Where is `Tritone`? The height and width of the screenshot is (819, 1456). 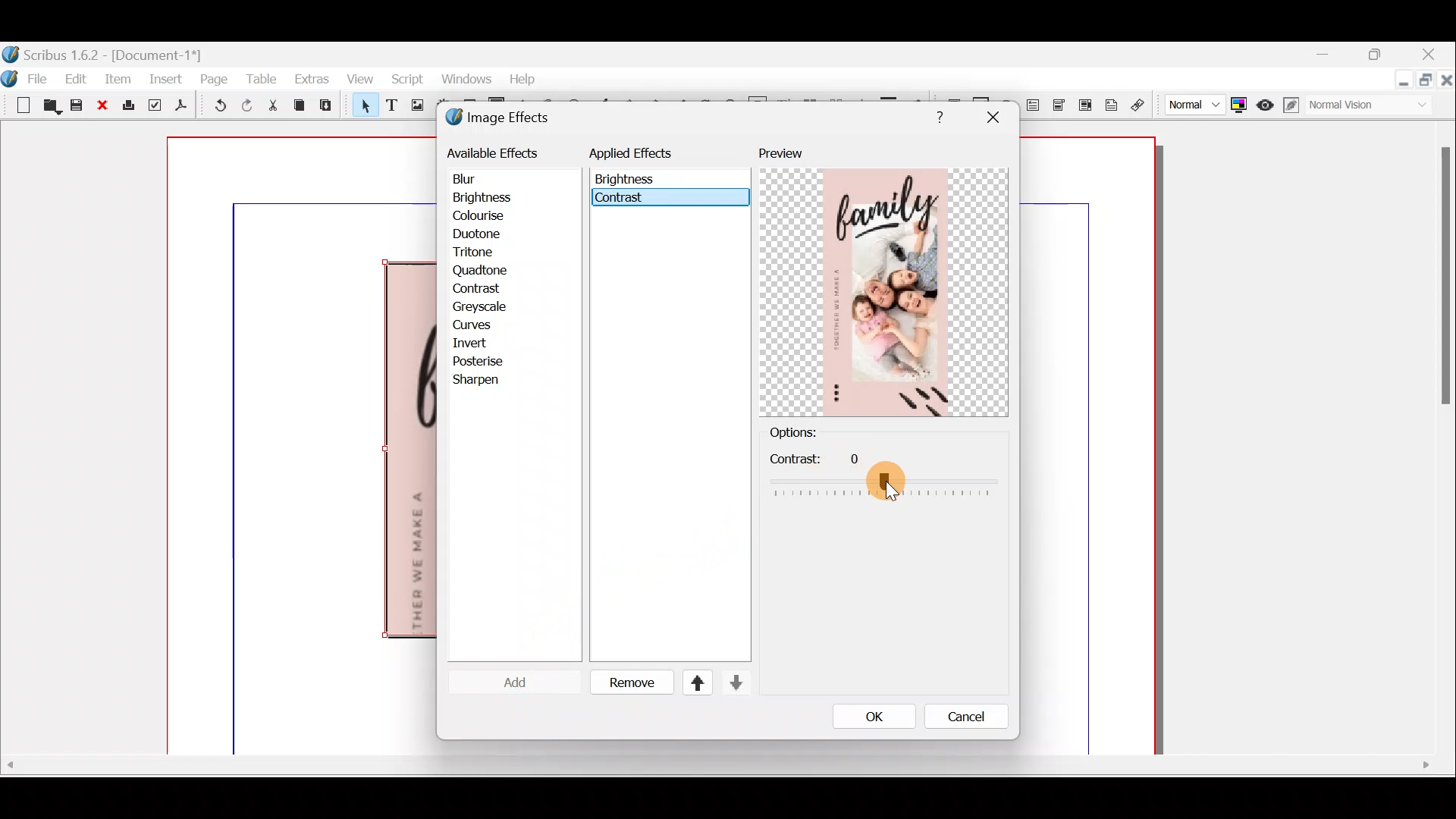 Tritone is located at coordinates (480, 254).